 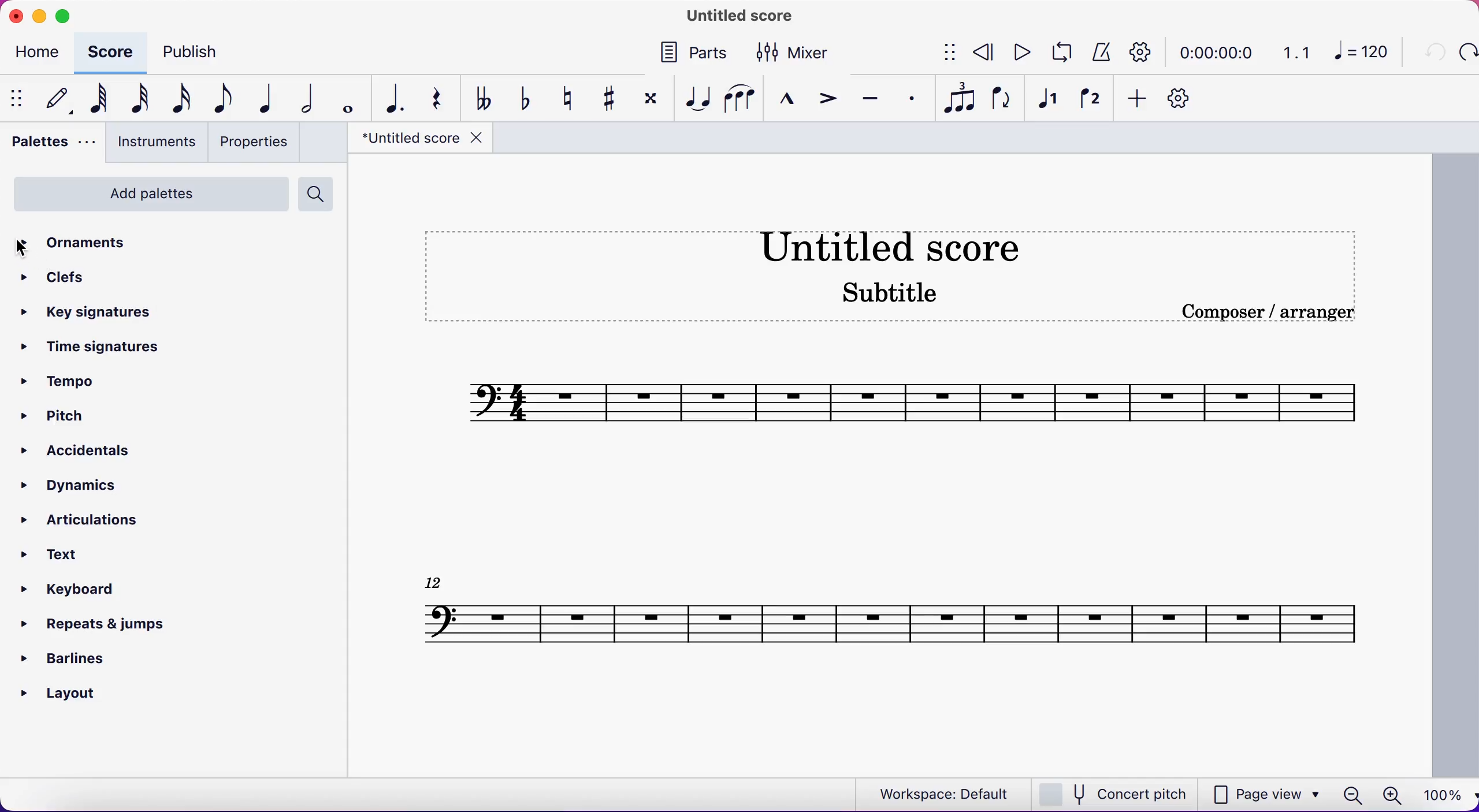 What do you see at coordinates (1432, 54) in the screenshot?
I see `undo` at bounding box center [1432, 54].